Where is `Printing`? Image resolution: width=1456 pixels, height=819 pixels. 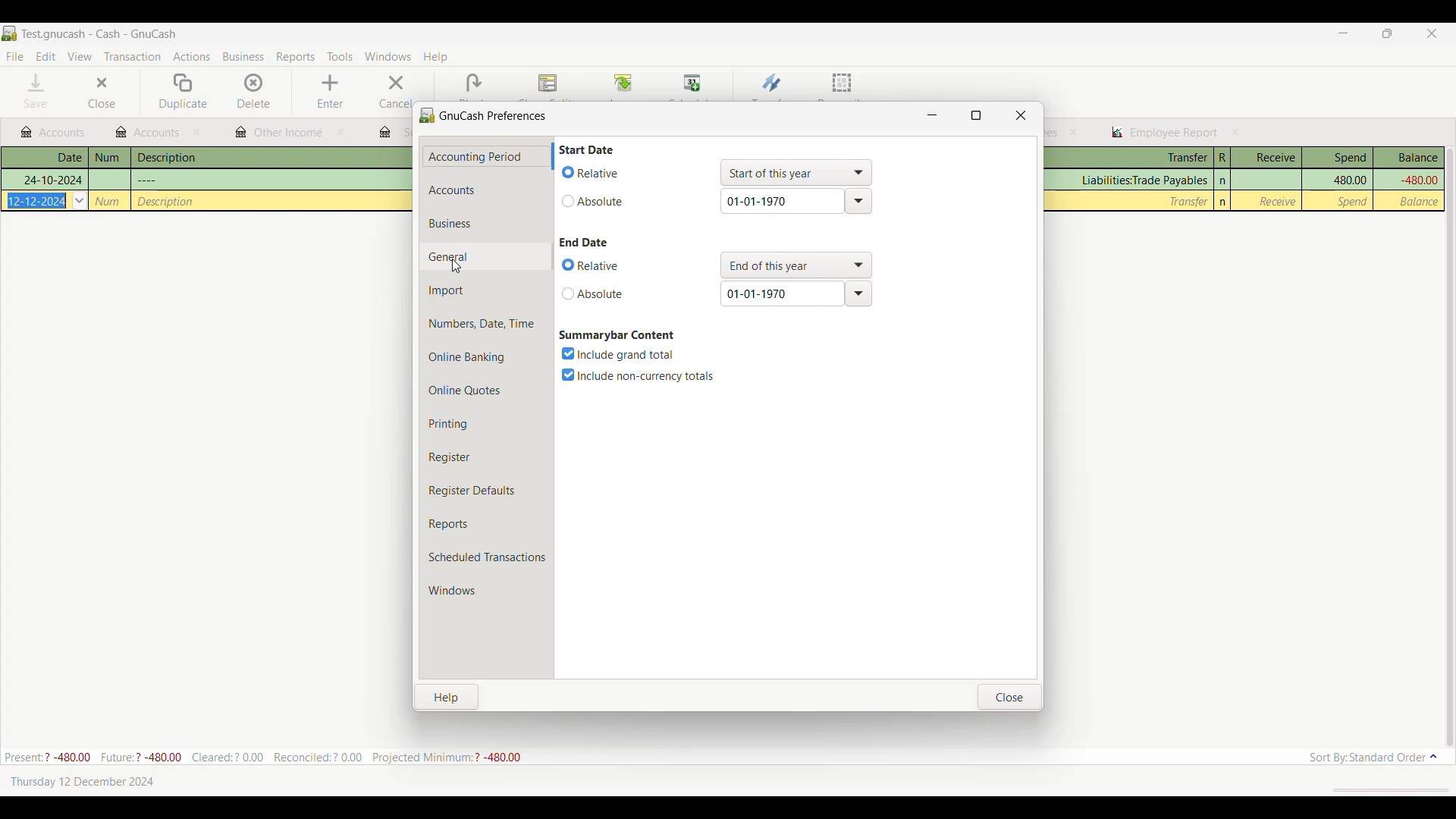 Printing is located at coordinates (485, 424).